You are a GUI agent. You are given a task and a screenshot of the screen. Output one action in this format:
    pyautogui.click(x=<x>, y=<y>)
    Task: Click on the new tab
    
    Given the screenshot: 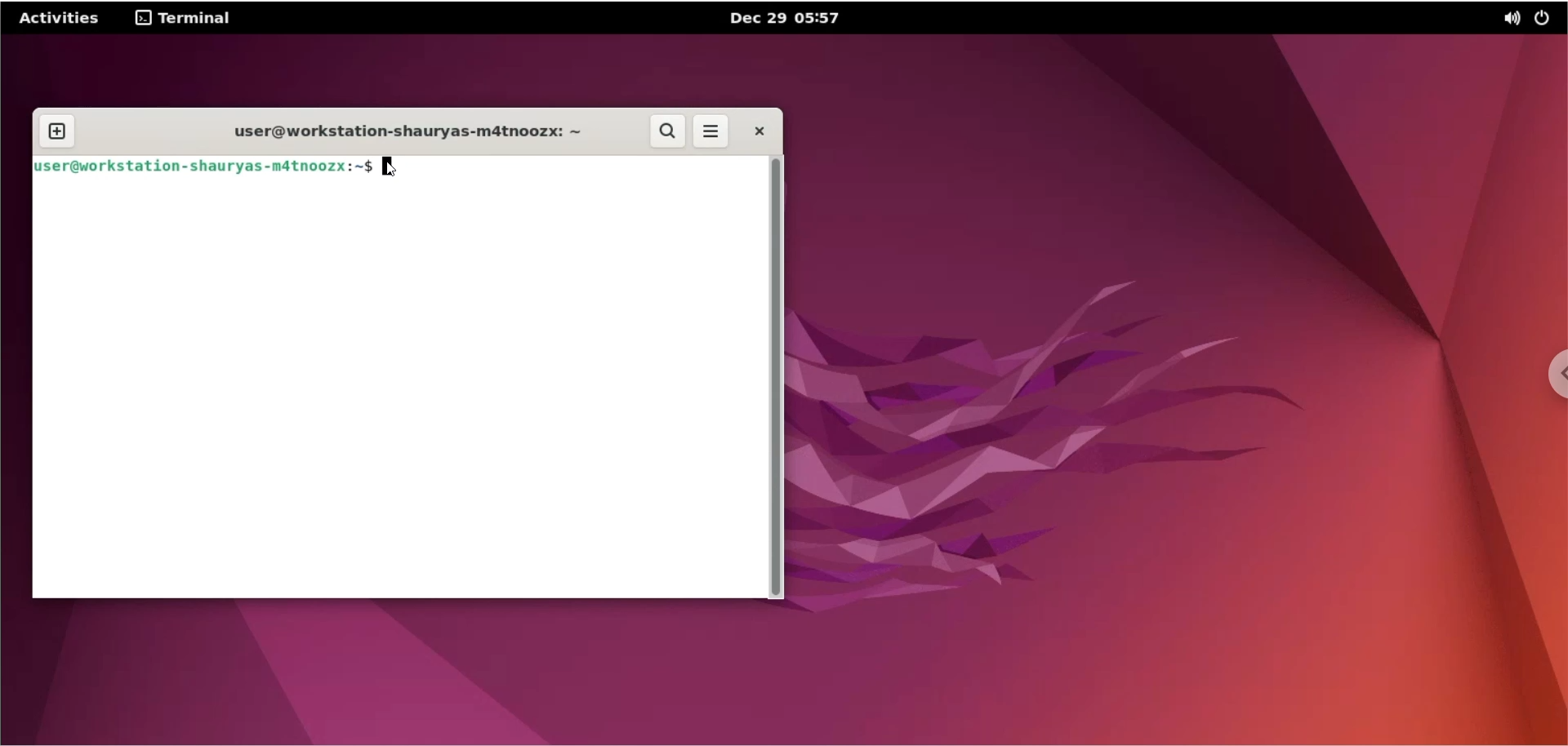 What is the action you would take?
    pyautogui.click(x=56, y=131)
    